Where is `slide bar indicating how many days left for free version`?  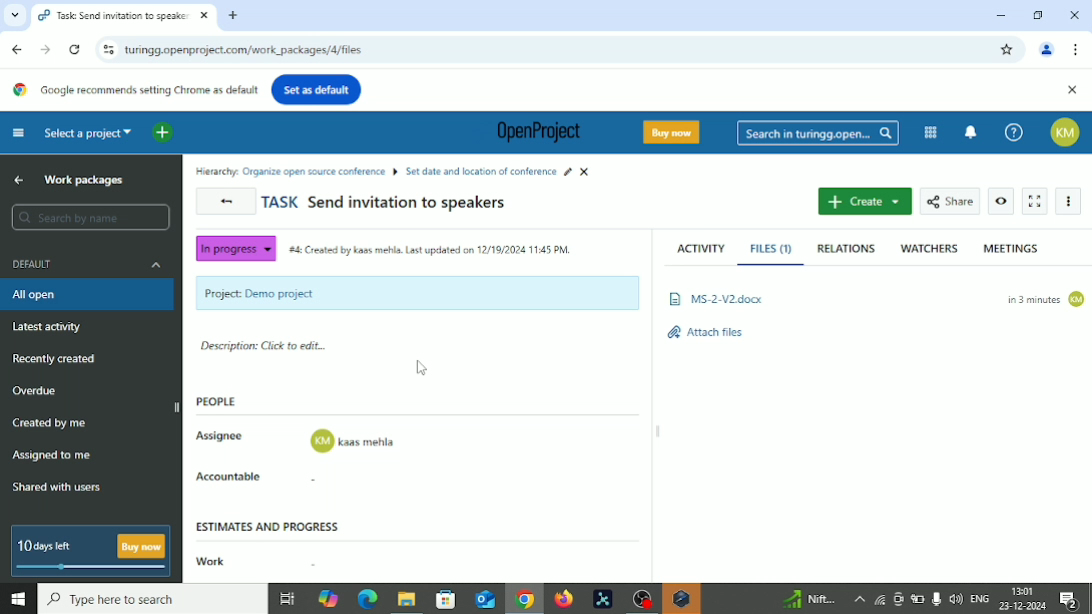 slide bar indicating how many days left for free version is located at coordinates (94, 569).